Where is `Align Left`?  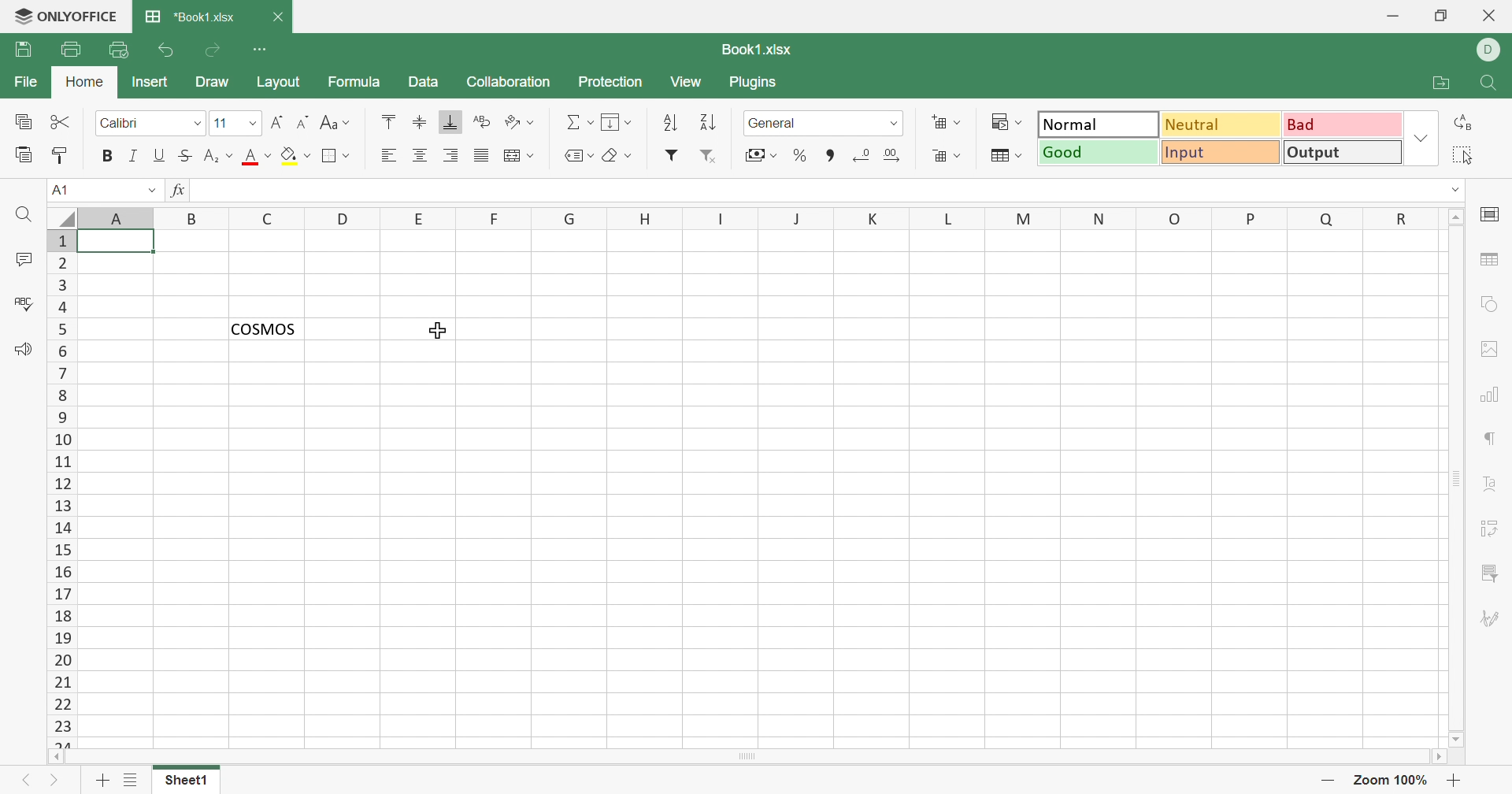
Align Left is located at coordinates (393, 154).